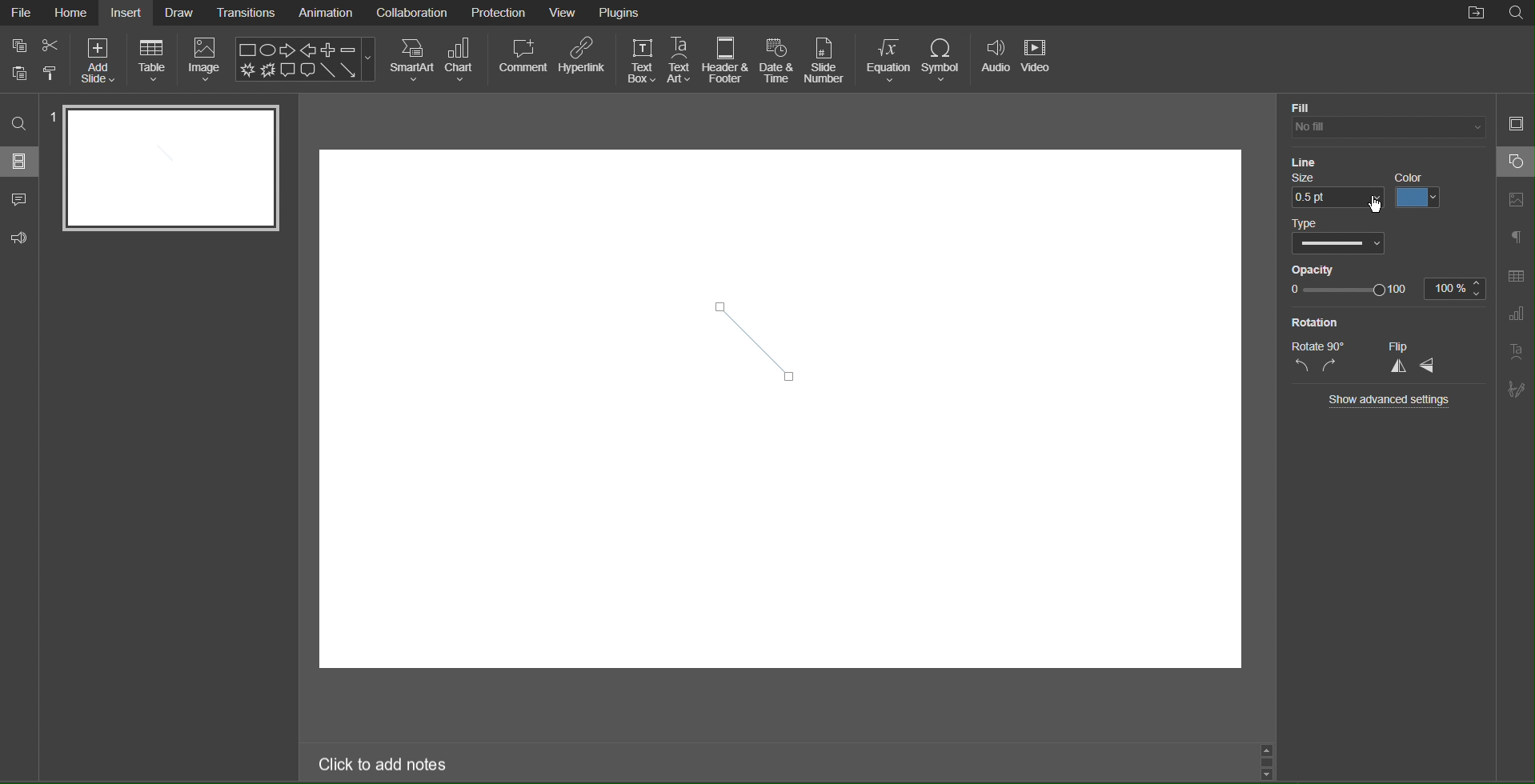 The image size is (1535, 784). Describe the element at coordinates (98, 61) in the screenshot. I see `Add Slide` at that location.